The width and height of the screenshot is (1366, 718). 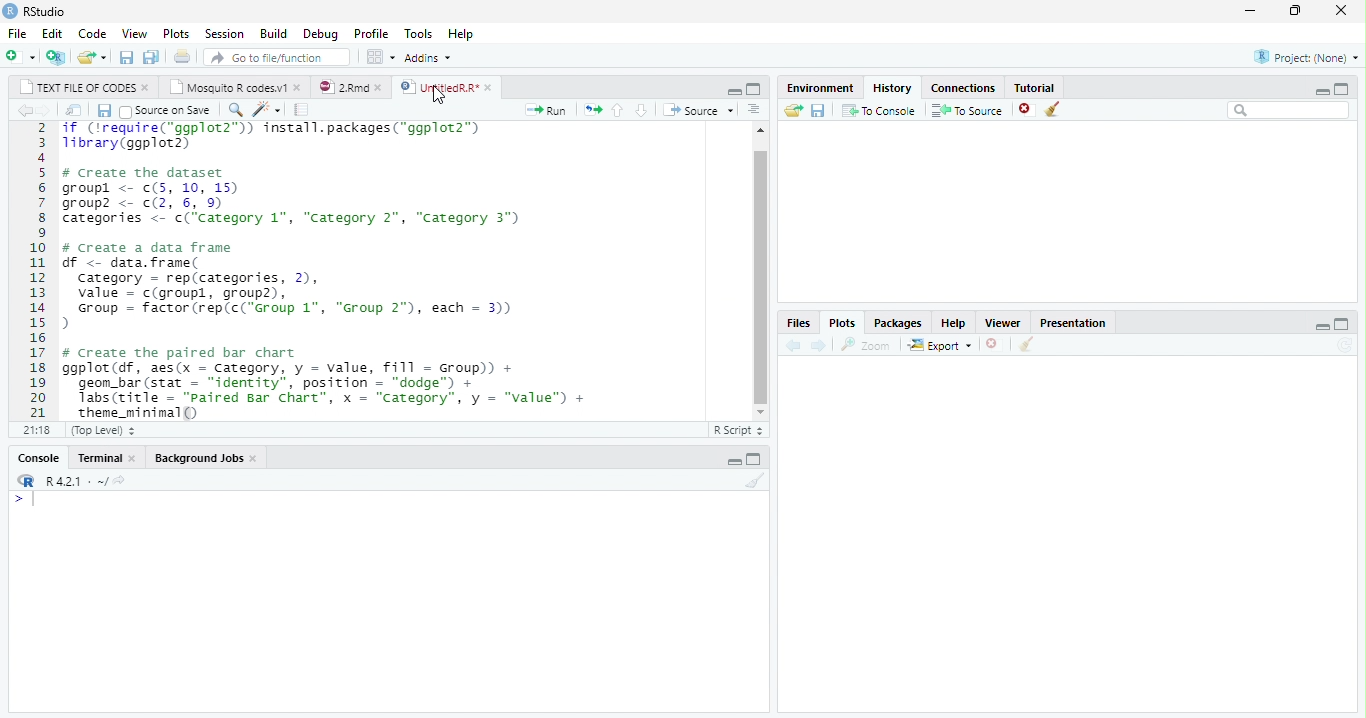 What do you see at coordinates (1029, 345) in the screenshot?
I see `clean` at bounding box center [1029, 345].